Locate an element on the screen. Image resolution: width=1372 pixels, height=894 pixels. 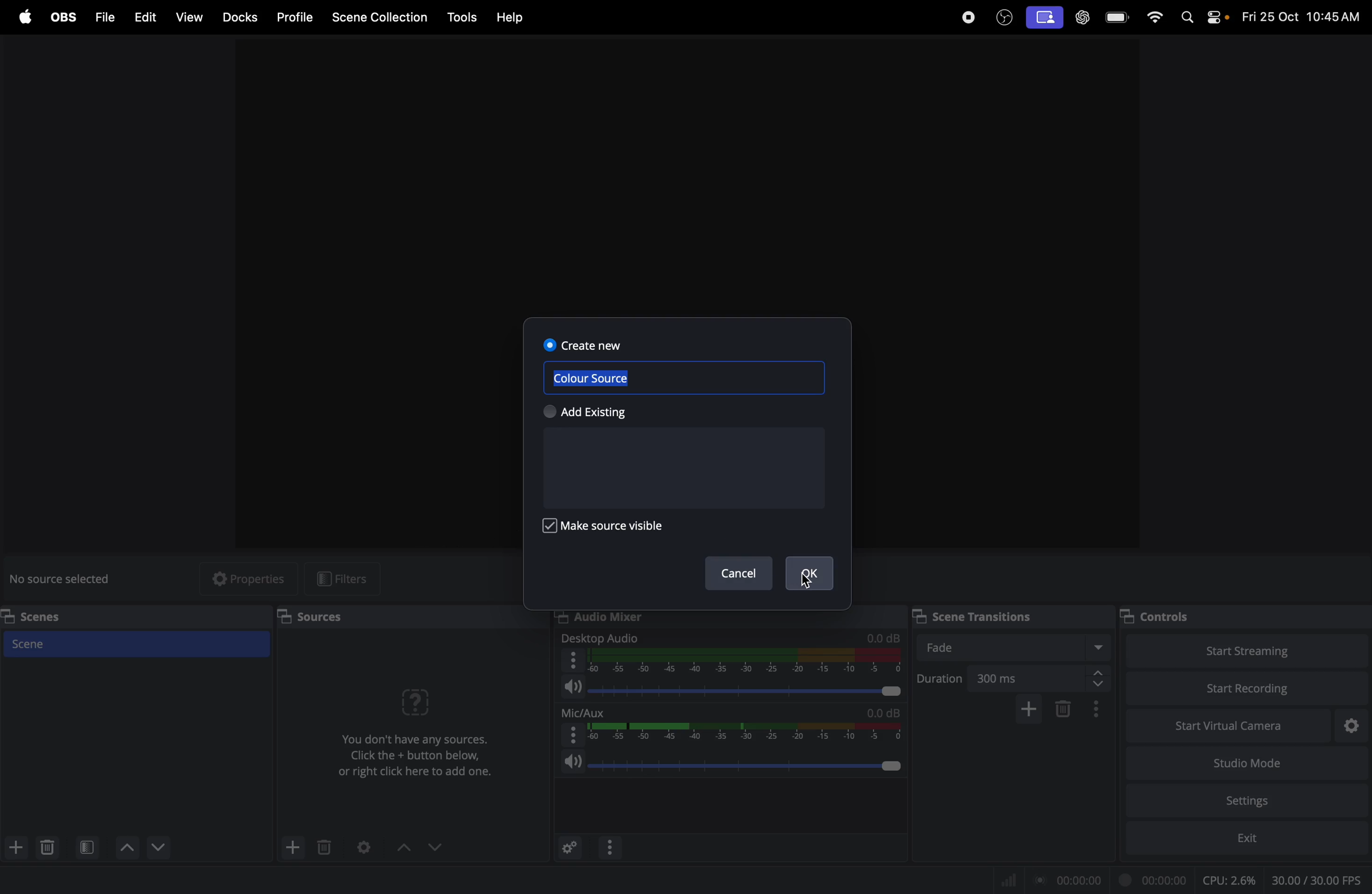
battery is located at coordinates (1120, 17).